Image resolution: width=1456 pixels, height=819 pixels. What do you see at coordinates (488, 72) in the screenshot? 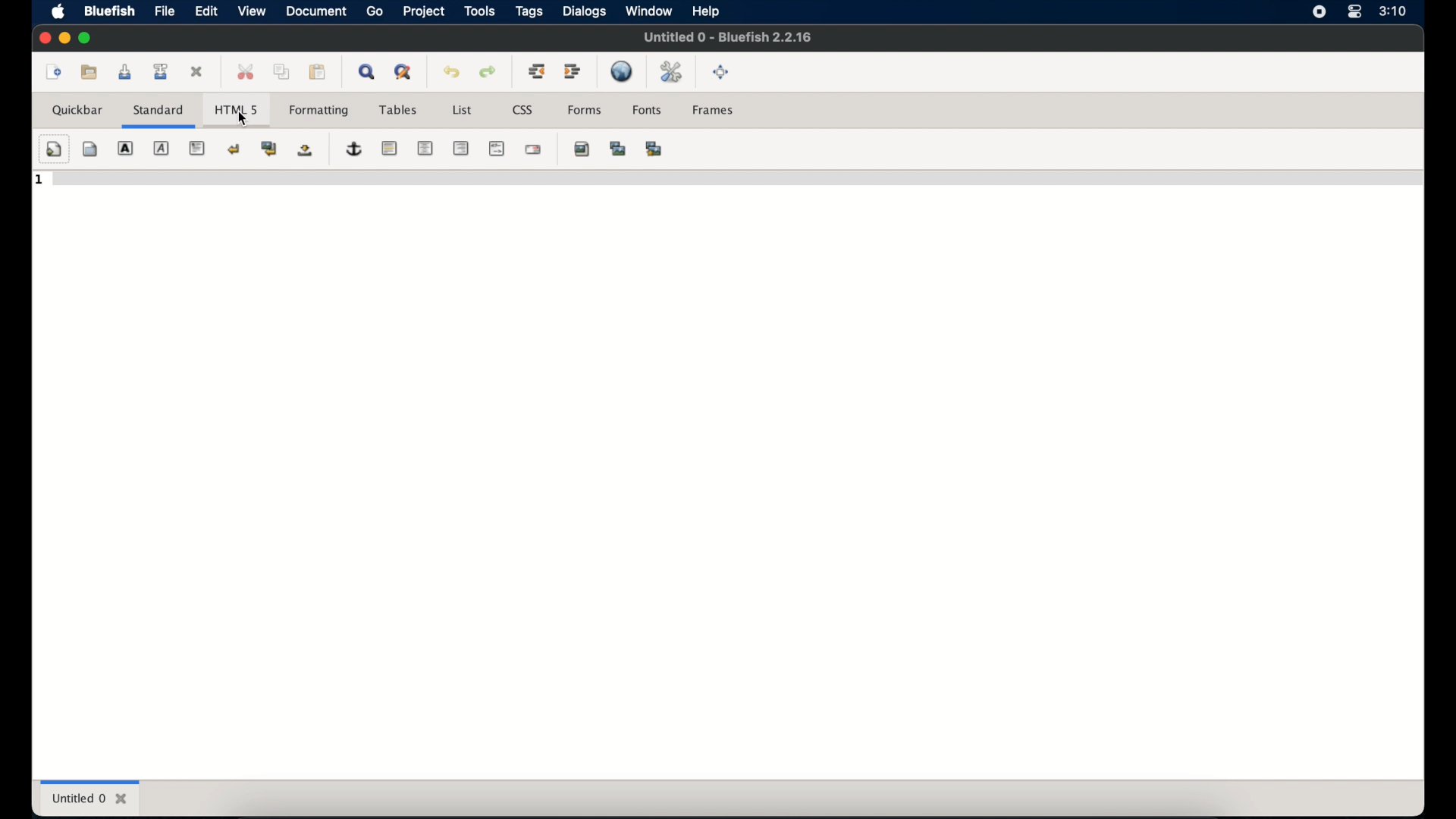
I see `redo` at bounding box center [488, 72].